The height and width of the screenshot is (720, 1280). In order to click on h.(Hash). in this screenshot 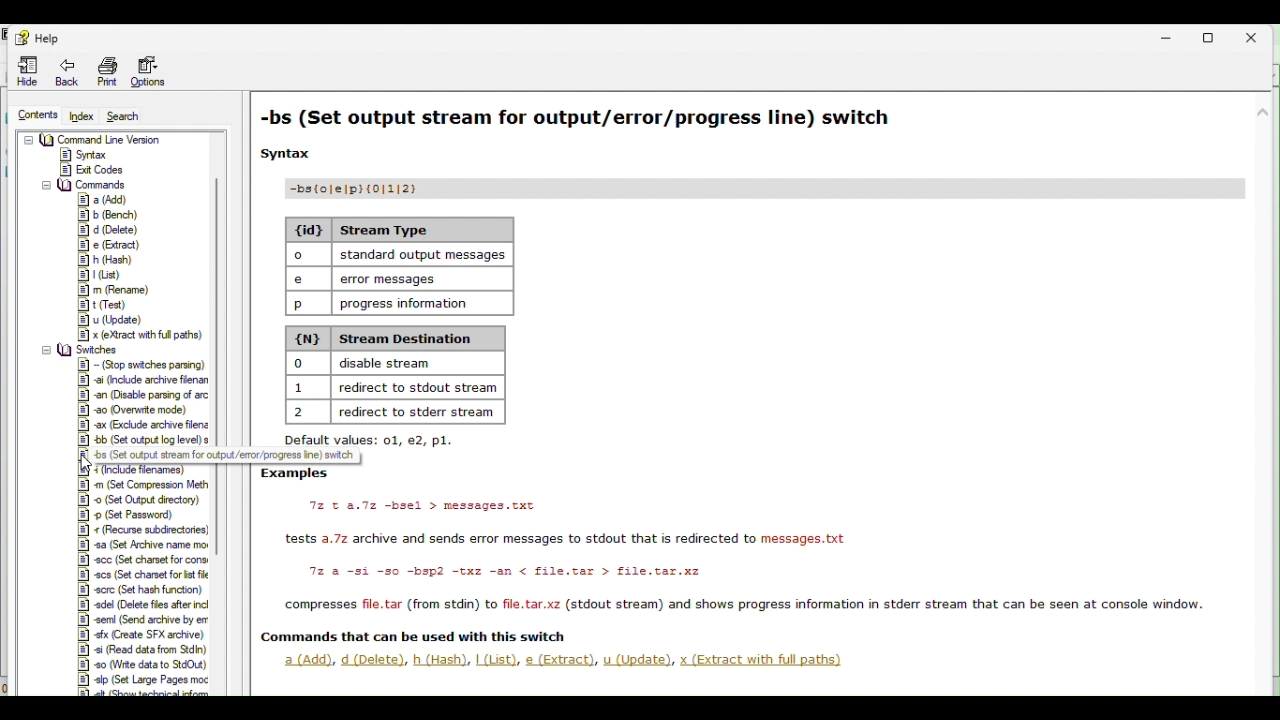, I will do `click(442, 659)`.